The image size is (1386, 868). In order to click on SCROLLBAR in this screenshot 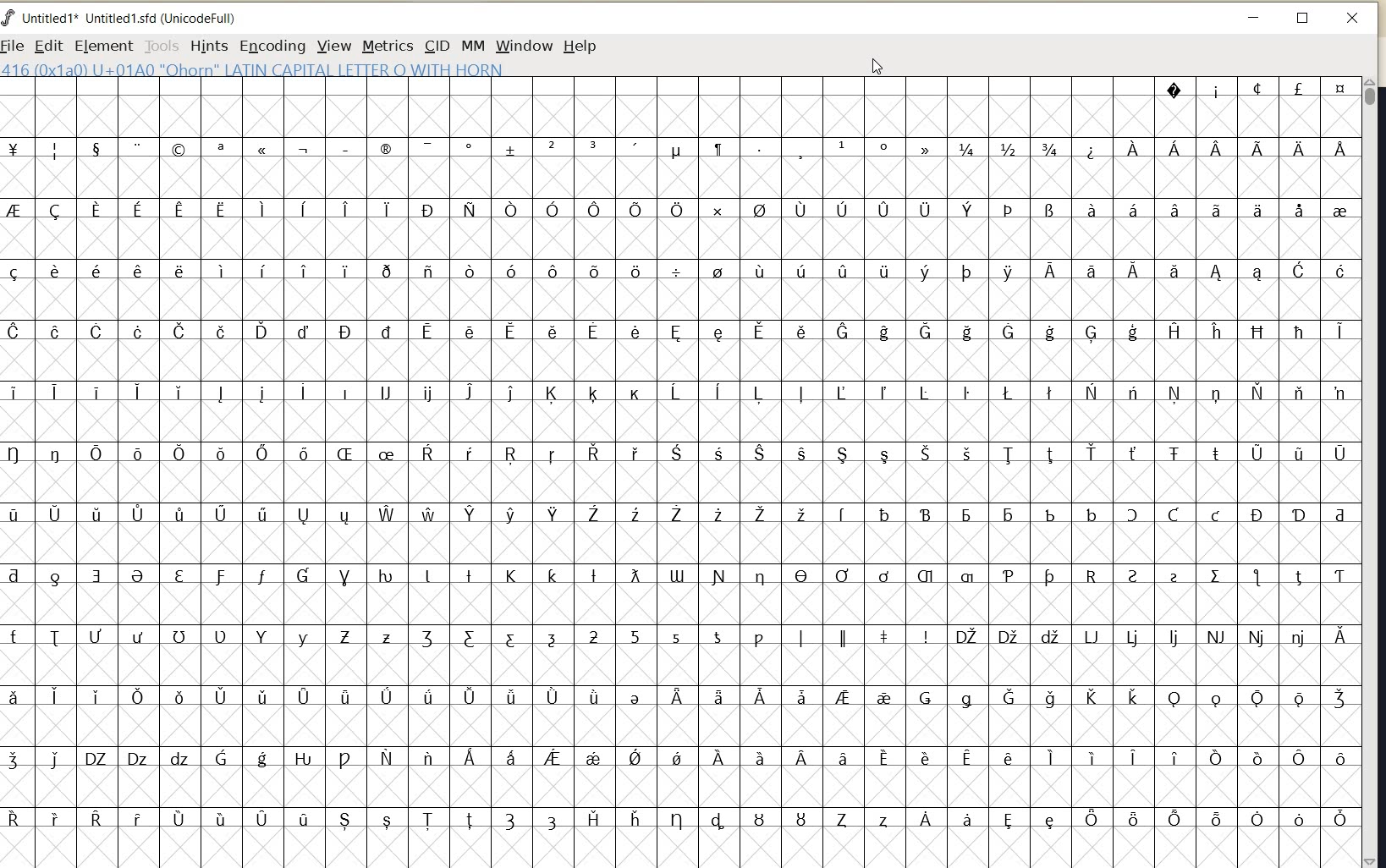, I will do `click(1372, 472)`.